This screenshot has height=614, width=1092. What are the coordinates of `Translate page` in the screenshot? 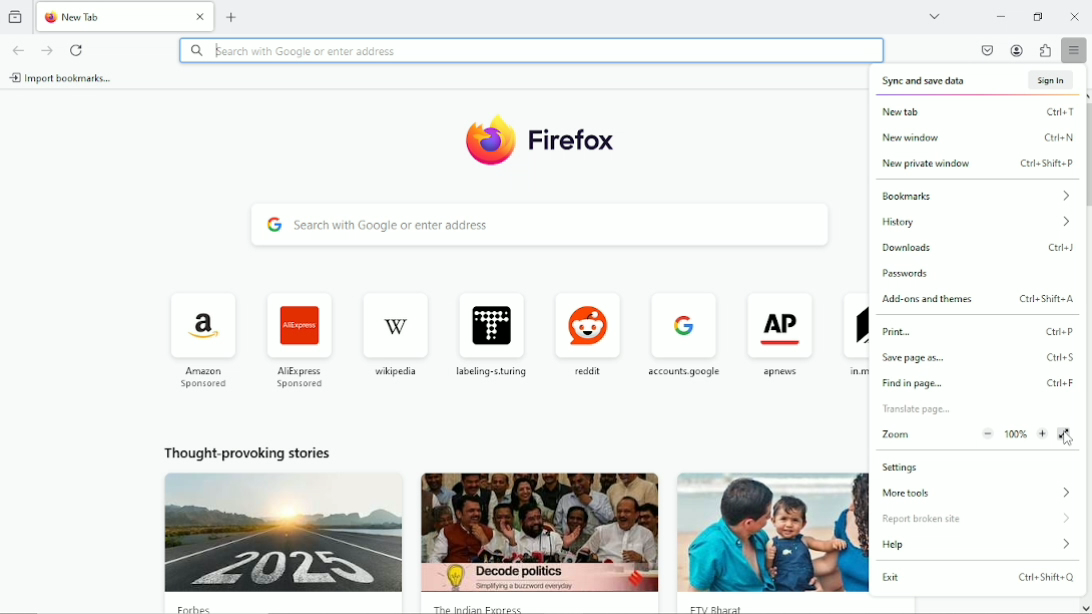 It's located at (931, 409).